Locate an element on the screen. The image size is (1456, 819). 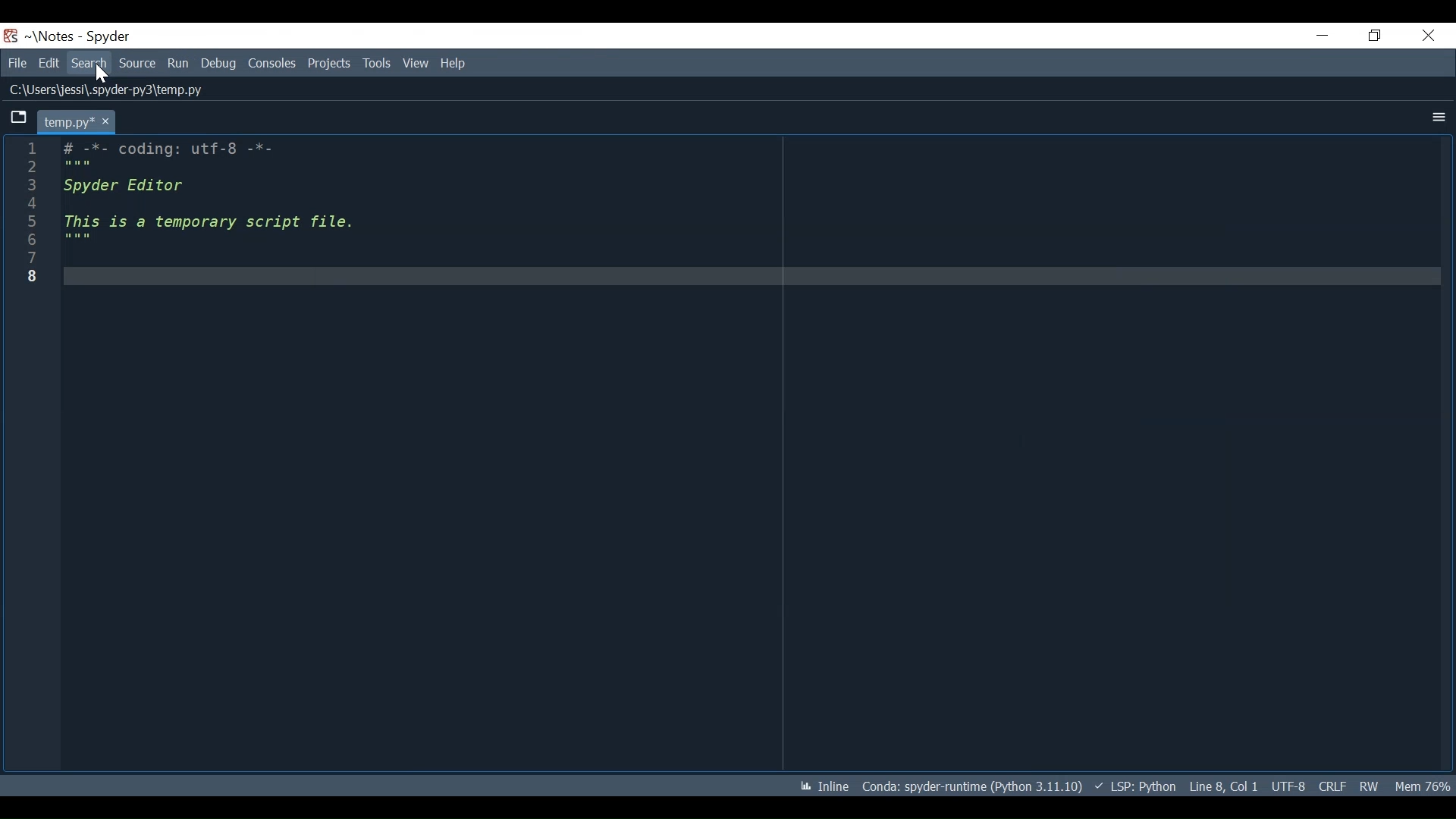
Conda Environment Indicator is located at coordinates (975, 787).